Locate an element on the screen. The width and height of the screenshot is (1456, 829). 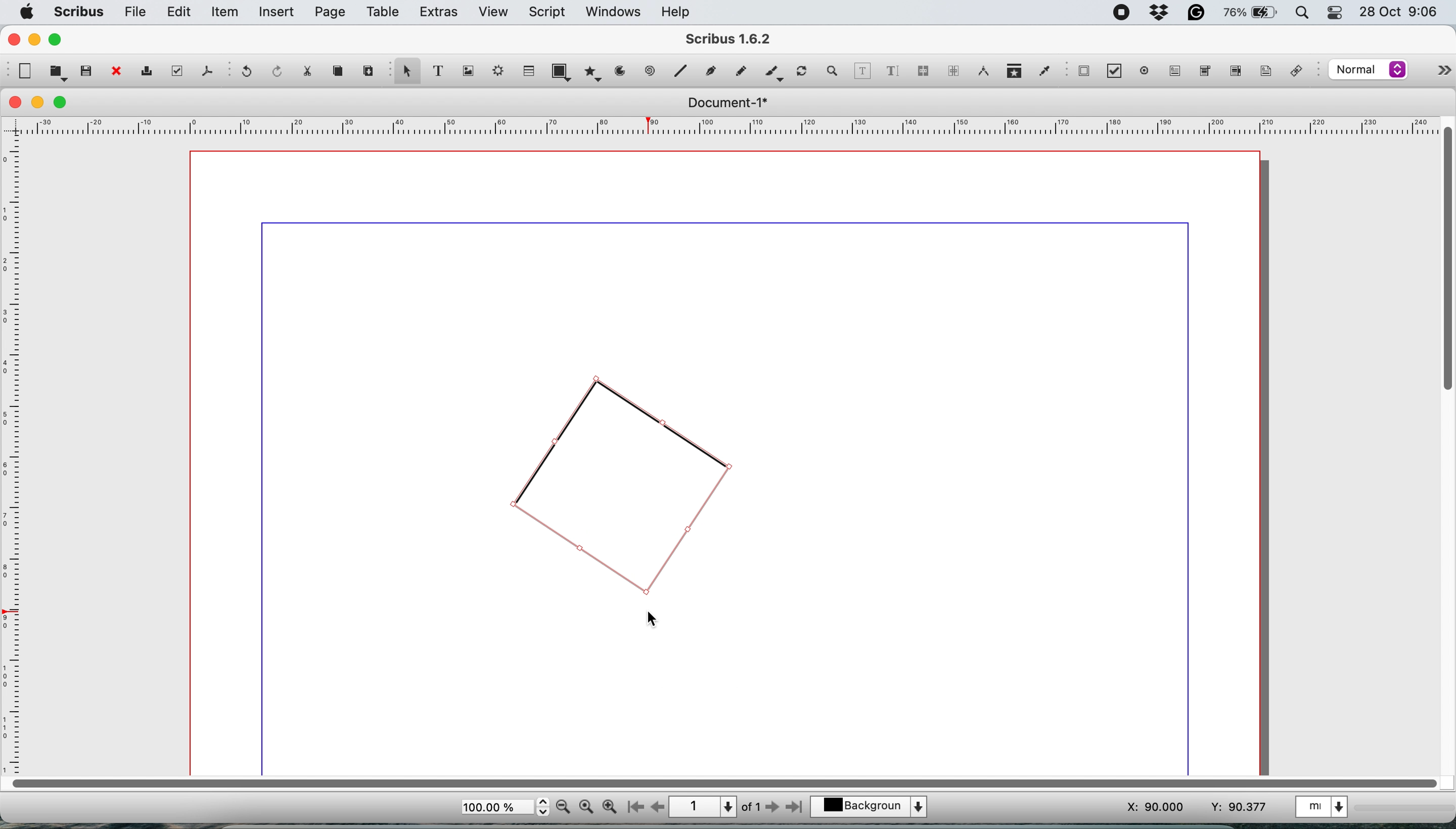
grammarly is located at coordinates (1197, 13).